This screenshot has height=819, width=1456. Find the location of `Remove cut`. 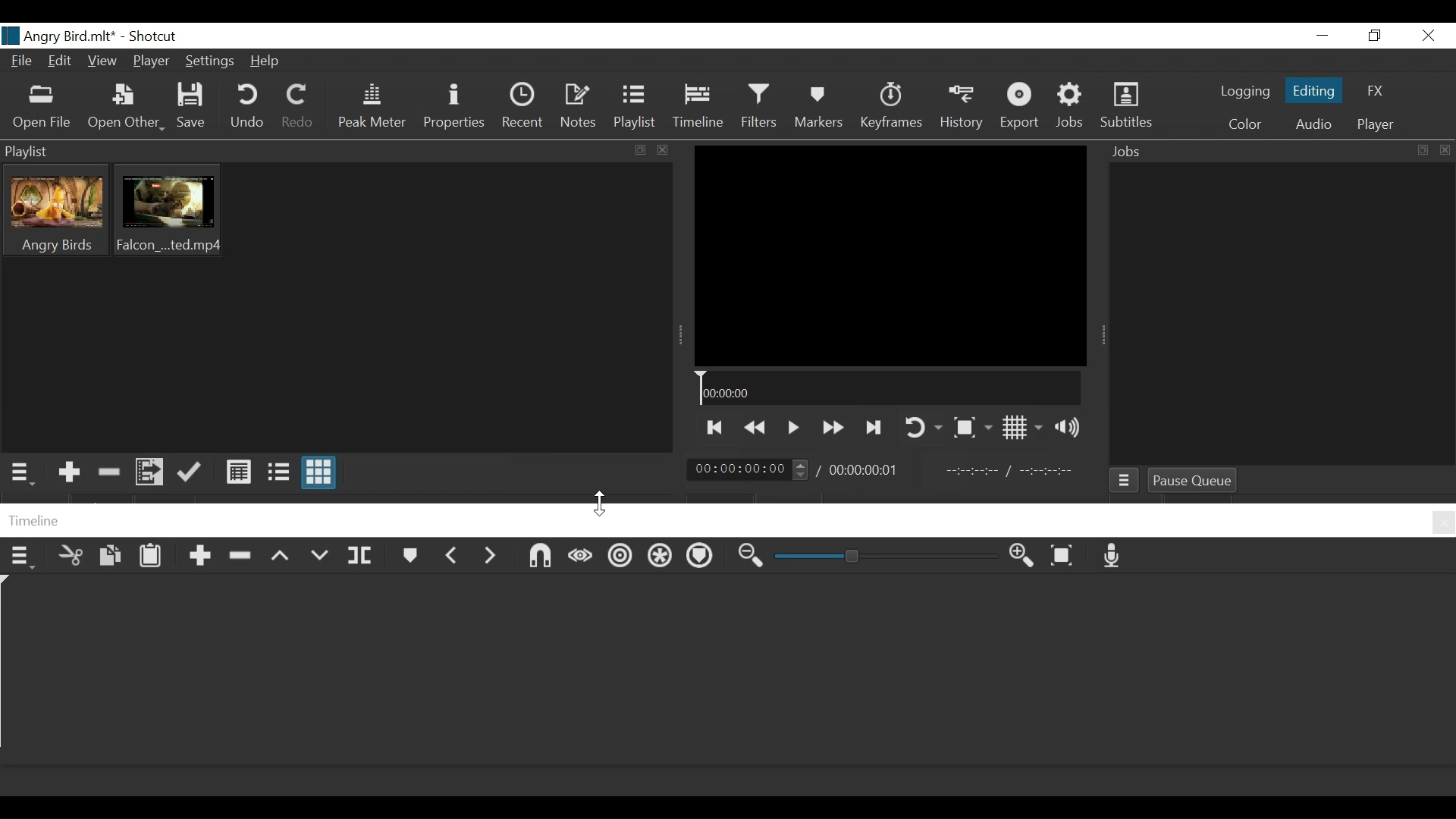

Remove cut is located at coordinates (111, 472).